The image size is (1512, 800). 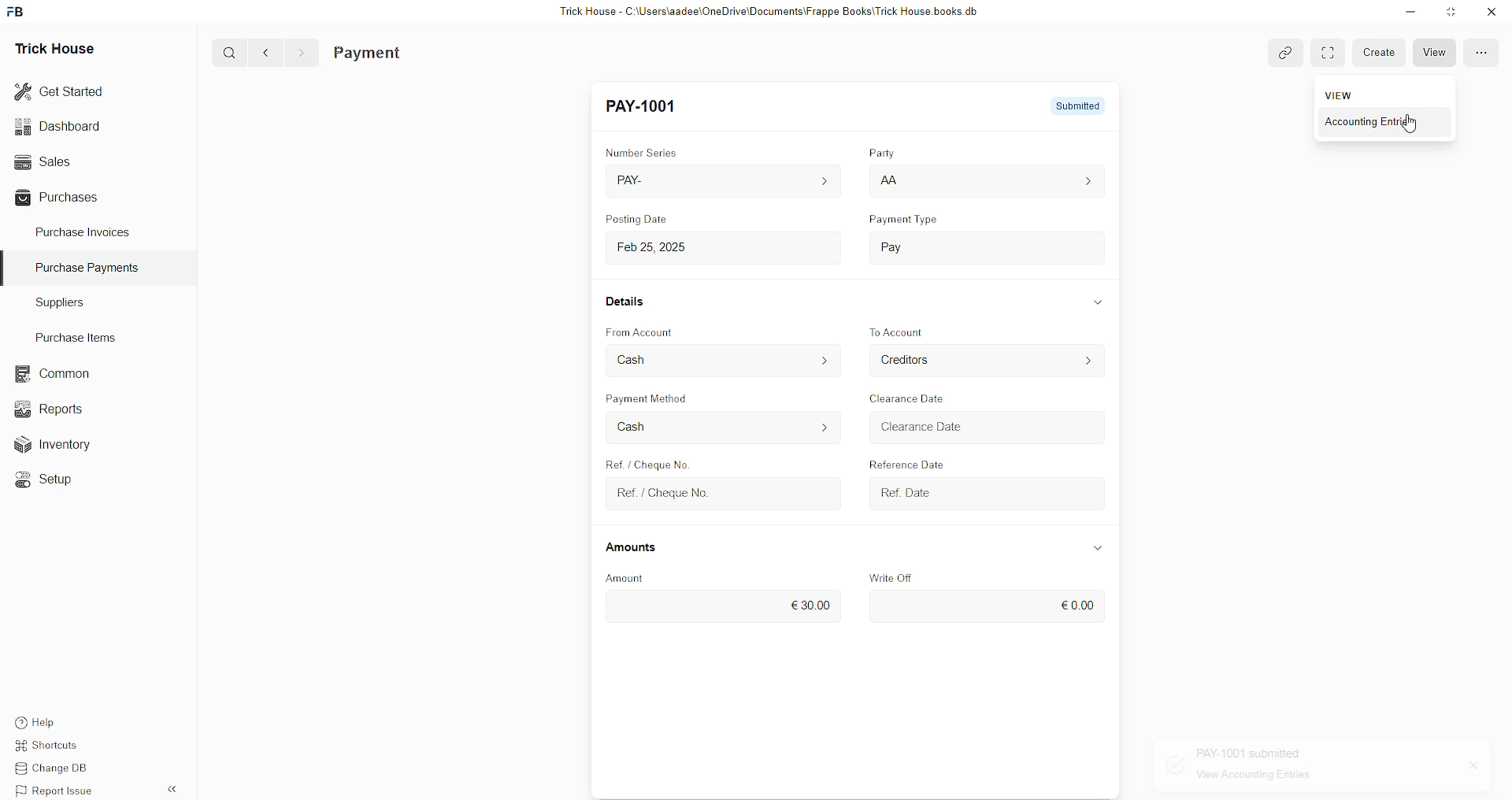 I want to click on > Clearance Date, so click(x=949, y=426).